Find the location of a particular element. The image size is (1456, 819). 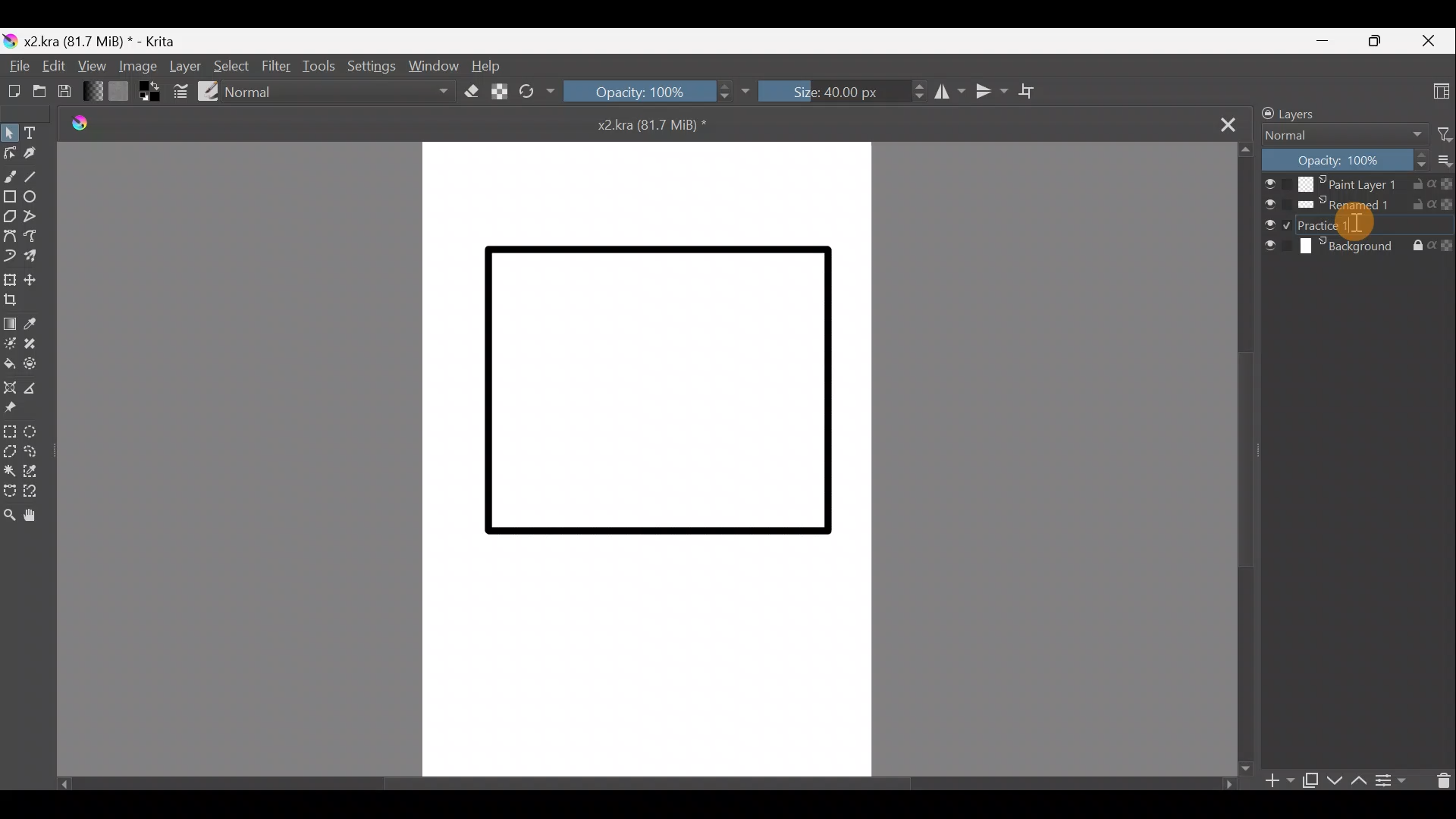

Horizontal mirror tool is located at coordinates (949, 90).